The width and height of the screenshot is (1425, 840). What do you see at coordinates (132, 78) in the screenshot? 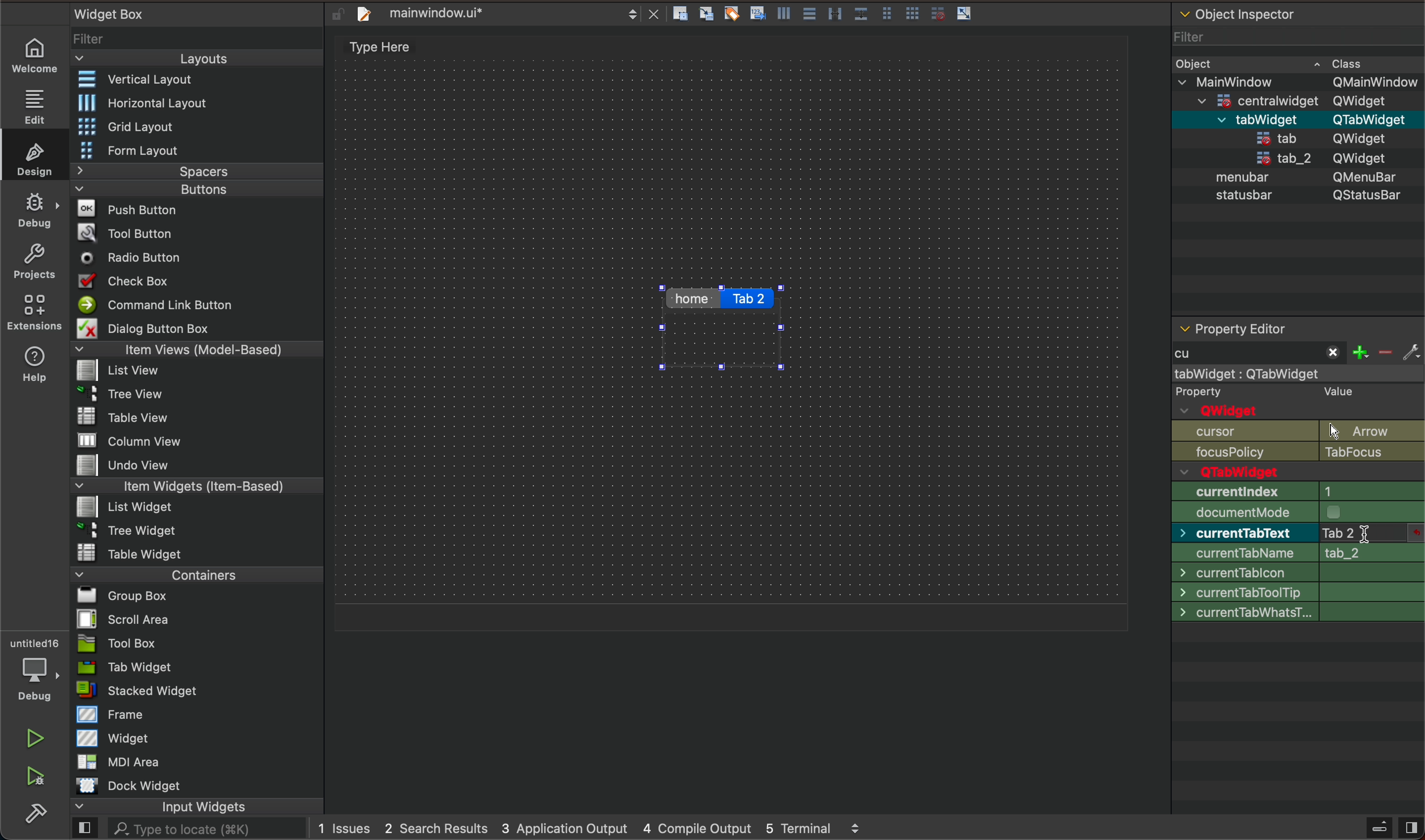
I see `Vertical Layout` at bounding box center [132, 78].